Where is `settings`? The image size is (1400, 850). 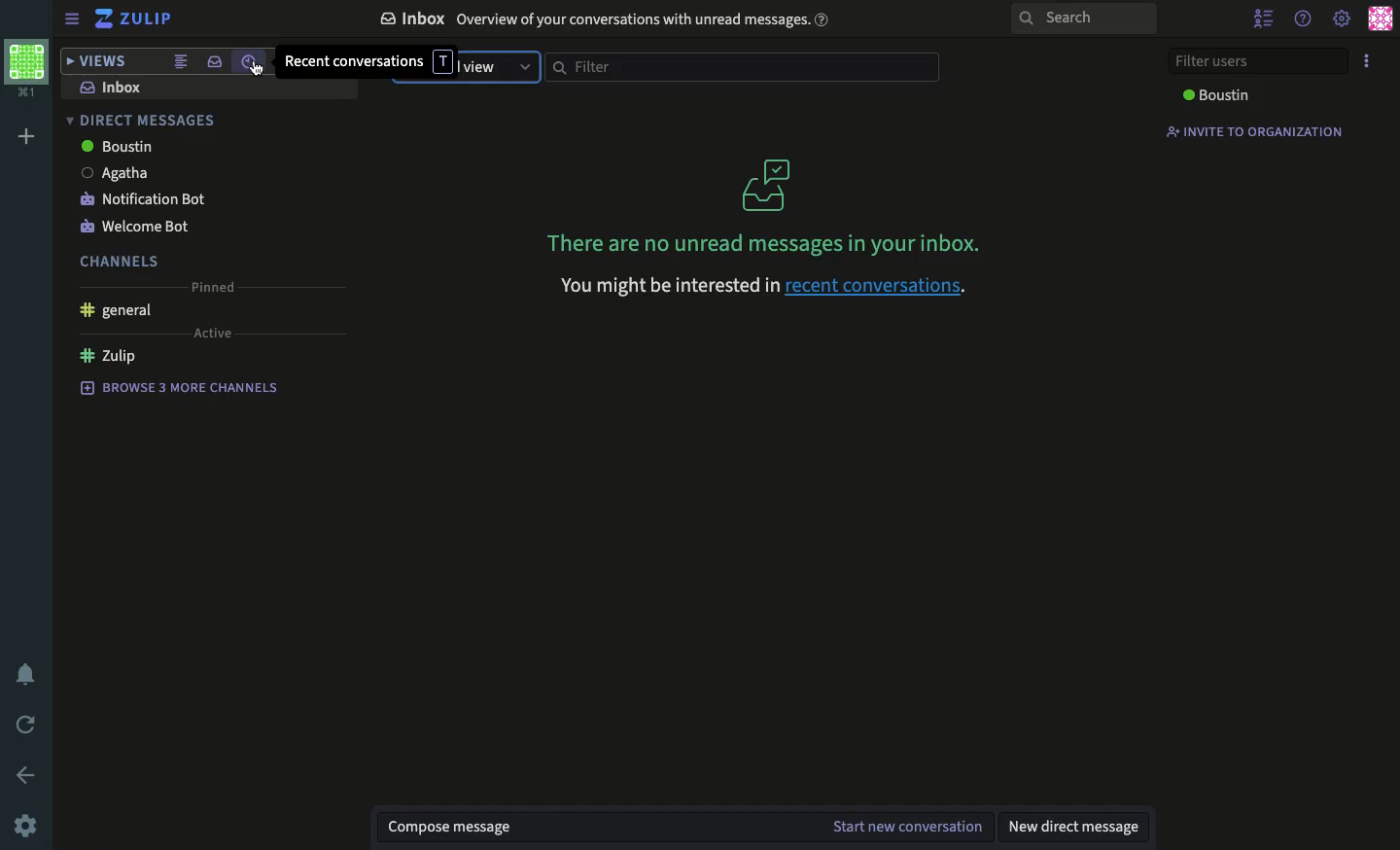 settings is located at coordinates (23, 826).